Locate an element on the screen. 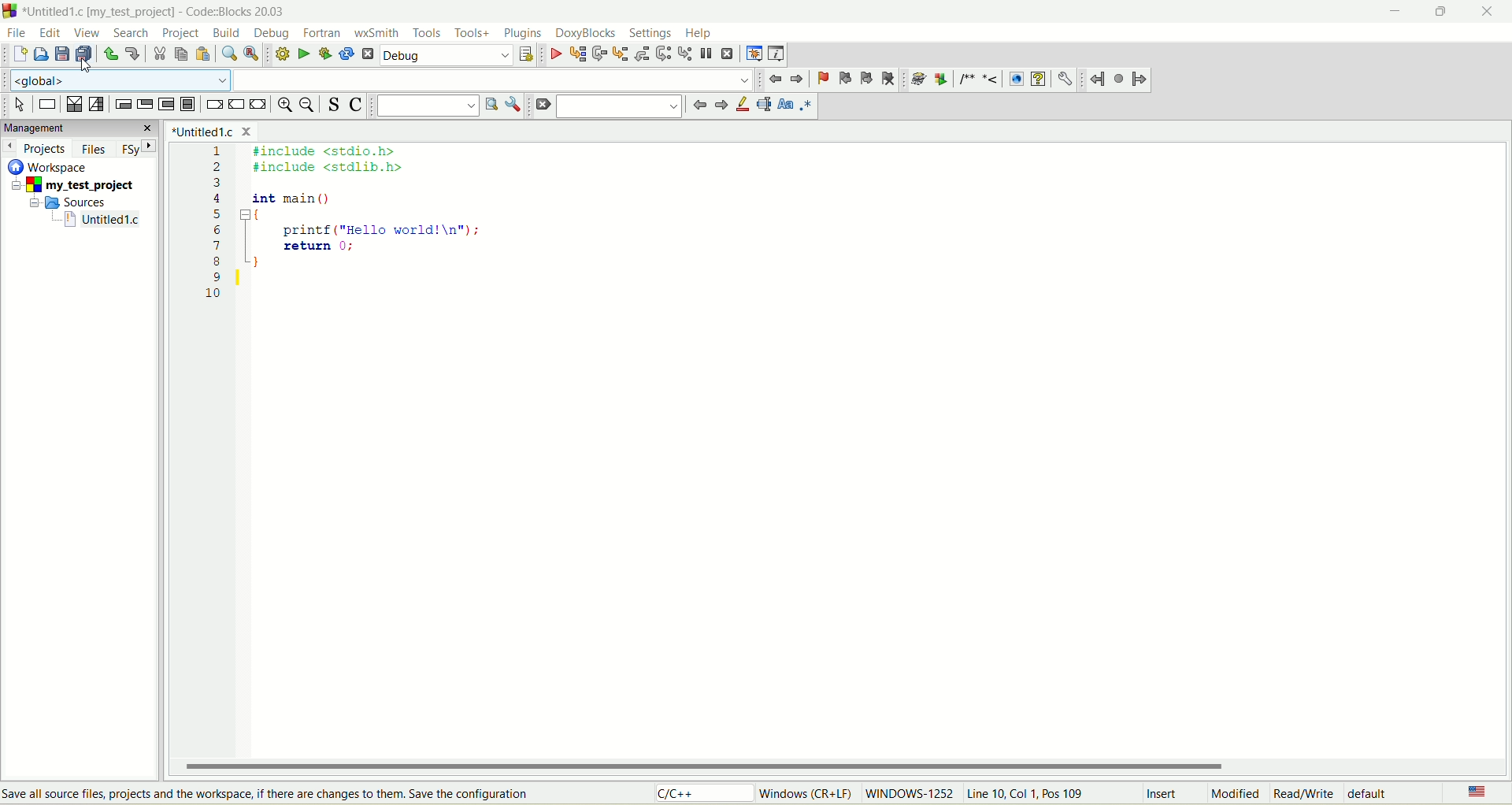 Image resolution: width=1512 pixels, height=805 pixels. preferences is located at coordinates (1065, 80).